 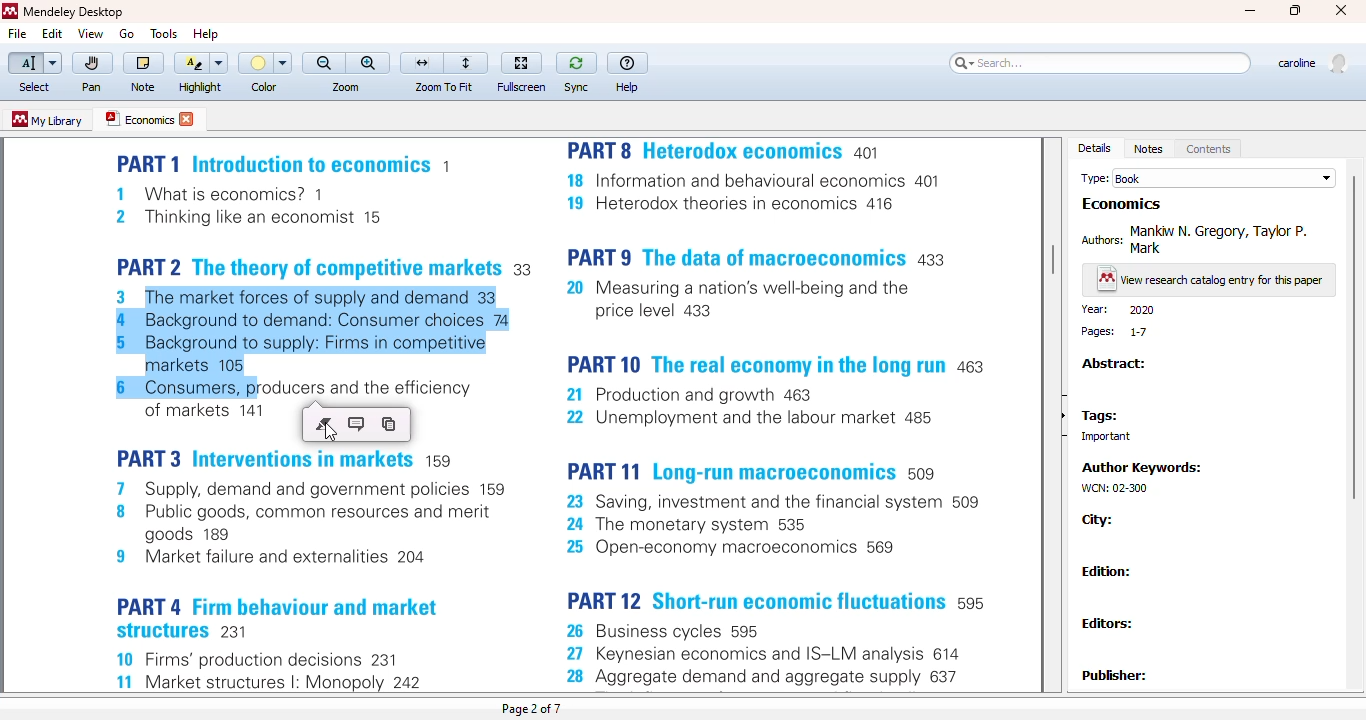 I want to click on economics, so click(x=1122, y=204).